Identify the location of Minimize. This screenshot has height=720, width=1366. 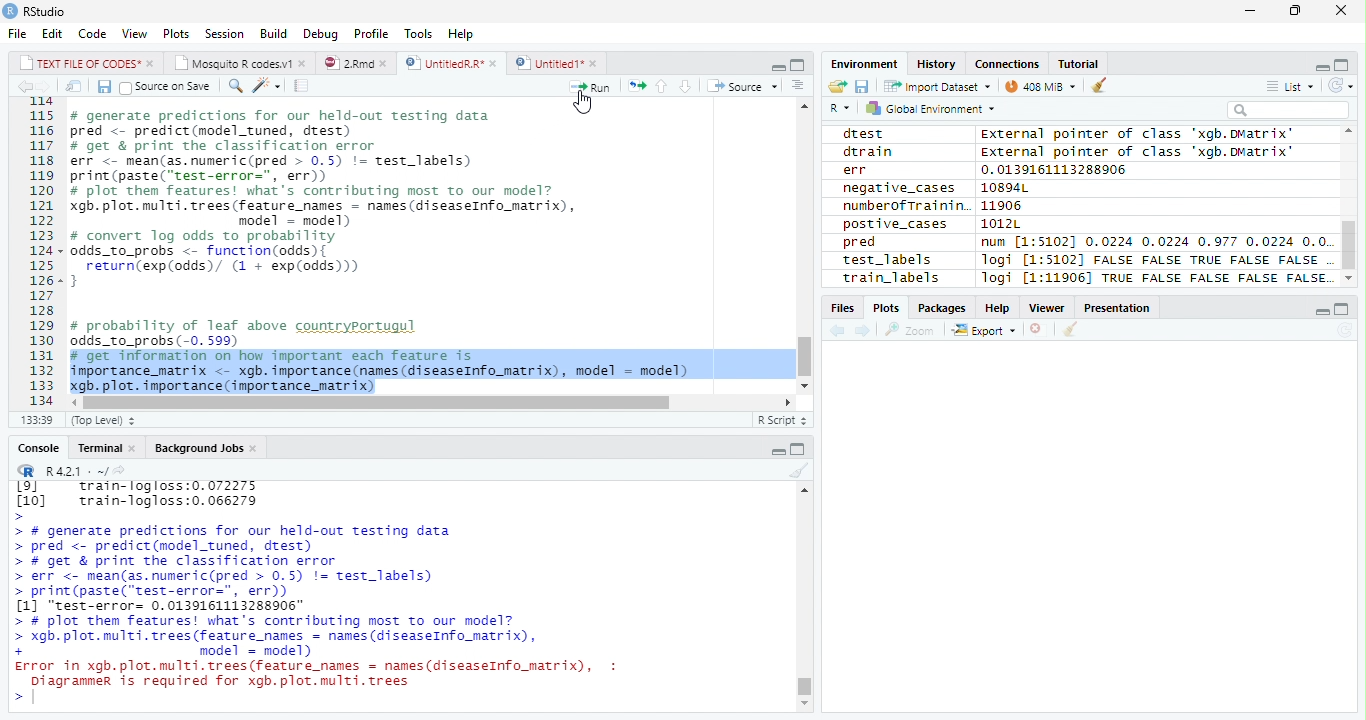
(1318, 65).